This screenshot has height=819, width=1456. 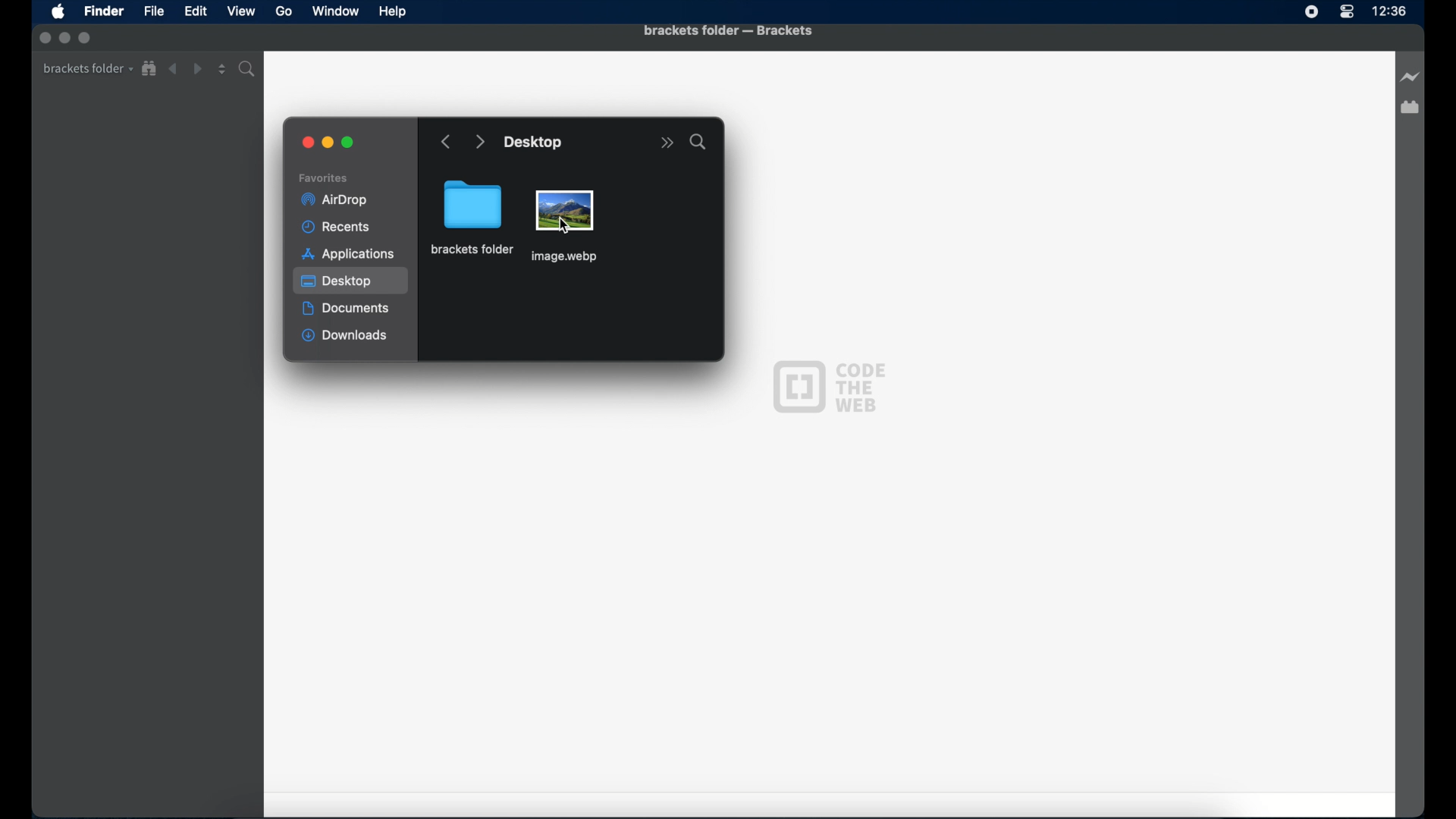 What do you see at coordinates (154, 11) in the screenshot?
I see `File` at bounding box center [154, 11].